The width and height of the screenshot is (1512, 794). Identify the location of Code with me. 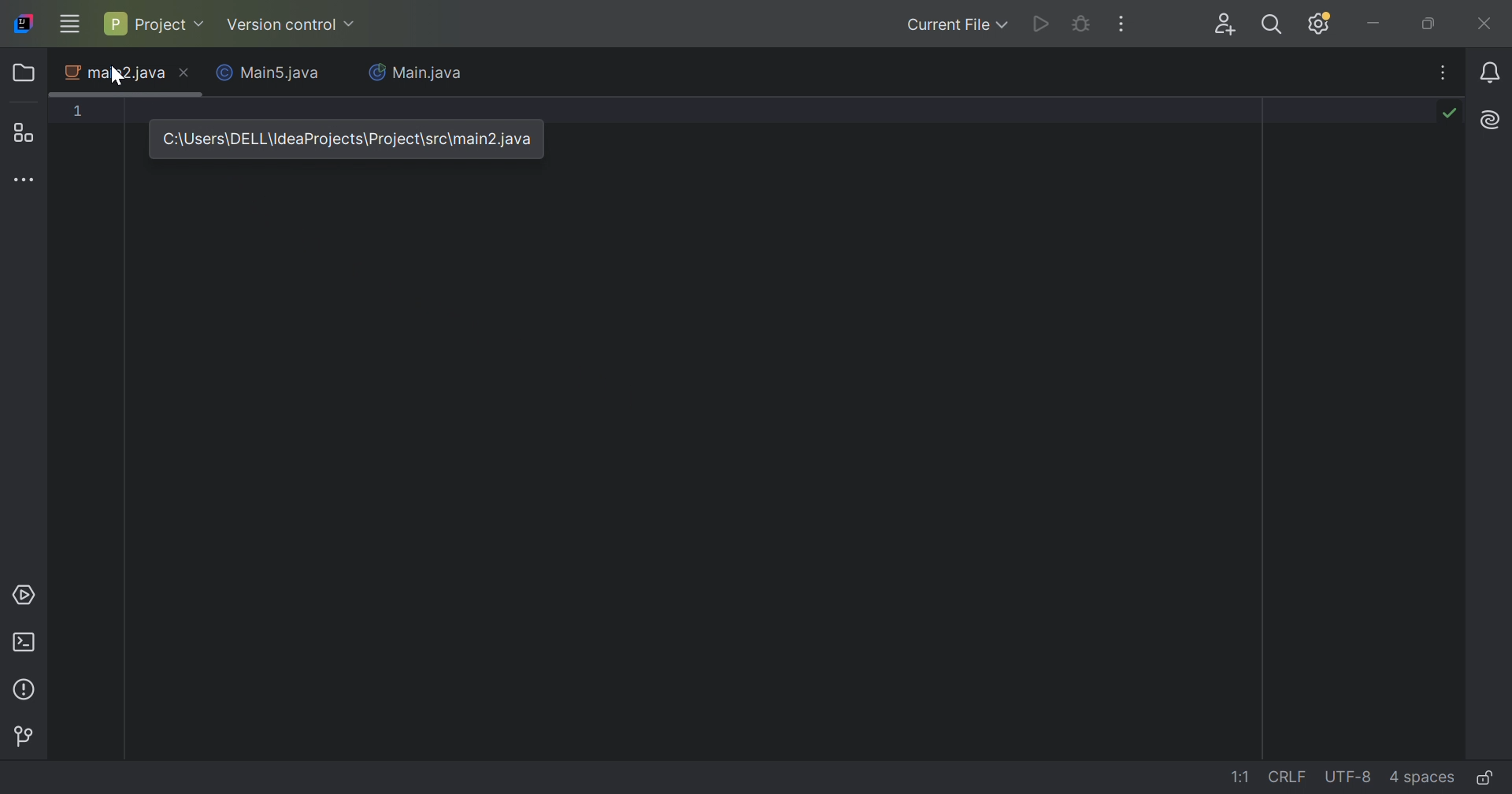
(1228, 26).